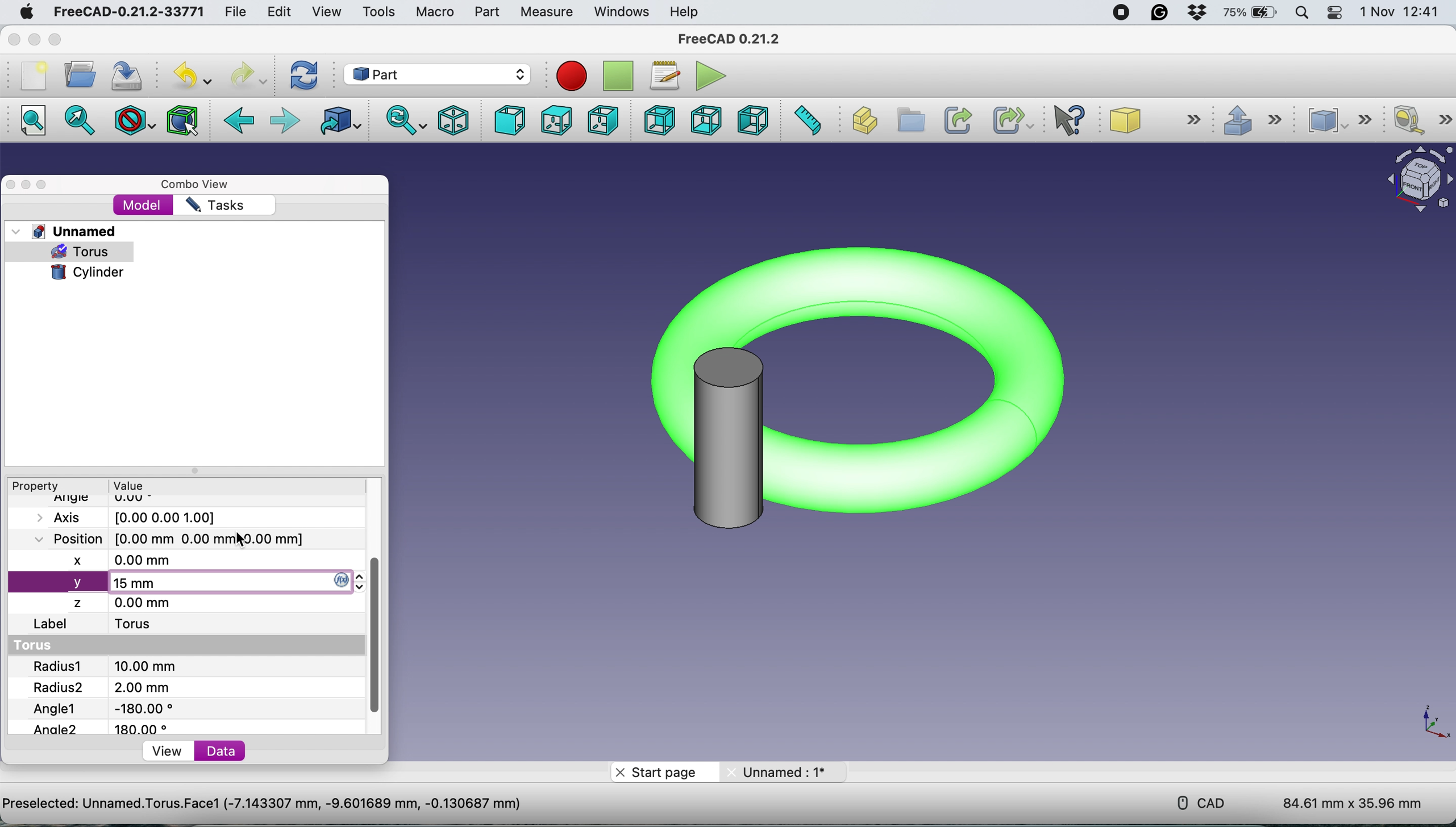 This screenshot has height=827, width=1456. Describe the element at coordinates (484, 13) in the screenshot. I see `part` at that location.